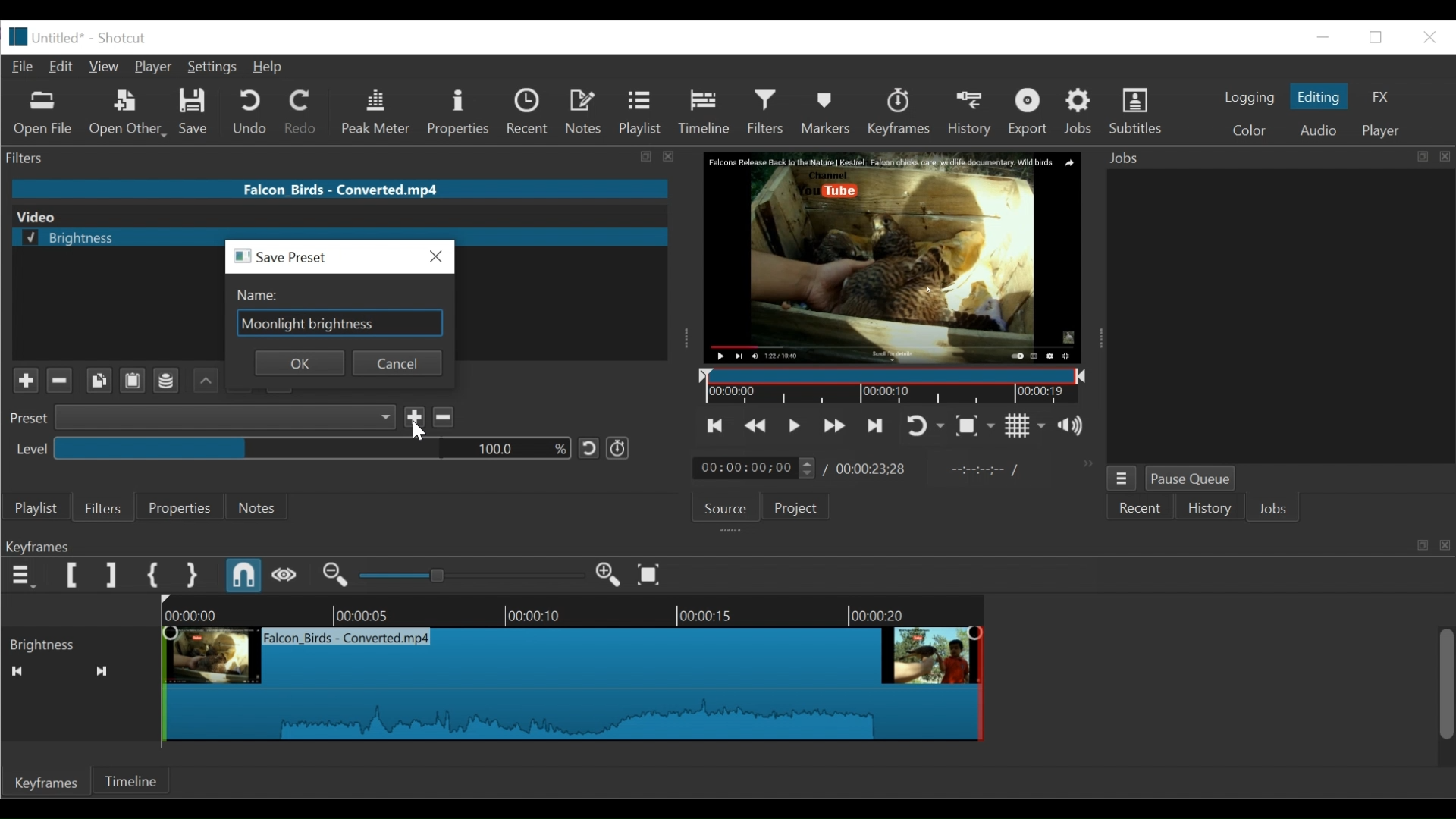  What do you see at coordinates (331, 216) in the screenshot?
I see `Video` at bounding box center [331, 216].